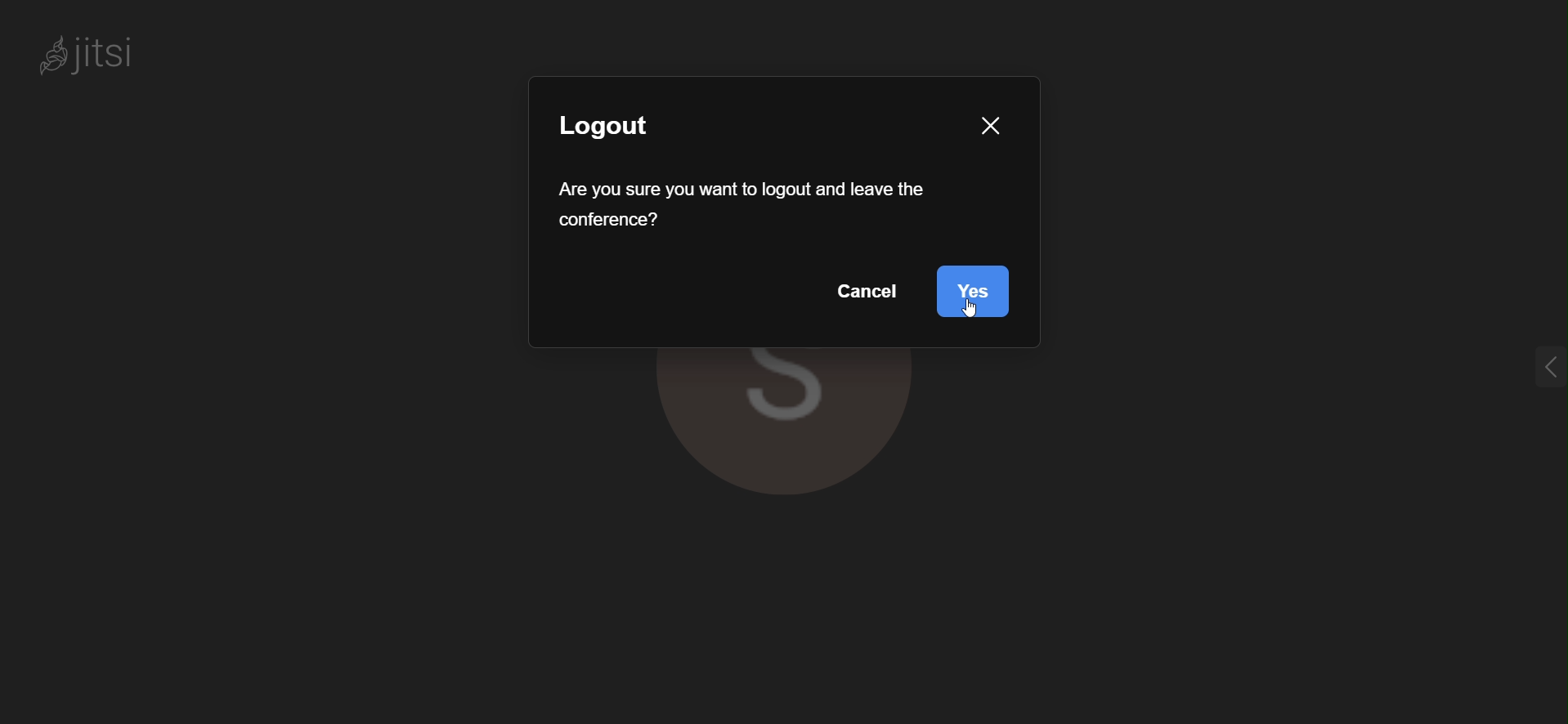  Describe the element at coordinates (971, 291) in the screenshot. I see `yes` at that location.